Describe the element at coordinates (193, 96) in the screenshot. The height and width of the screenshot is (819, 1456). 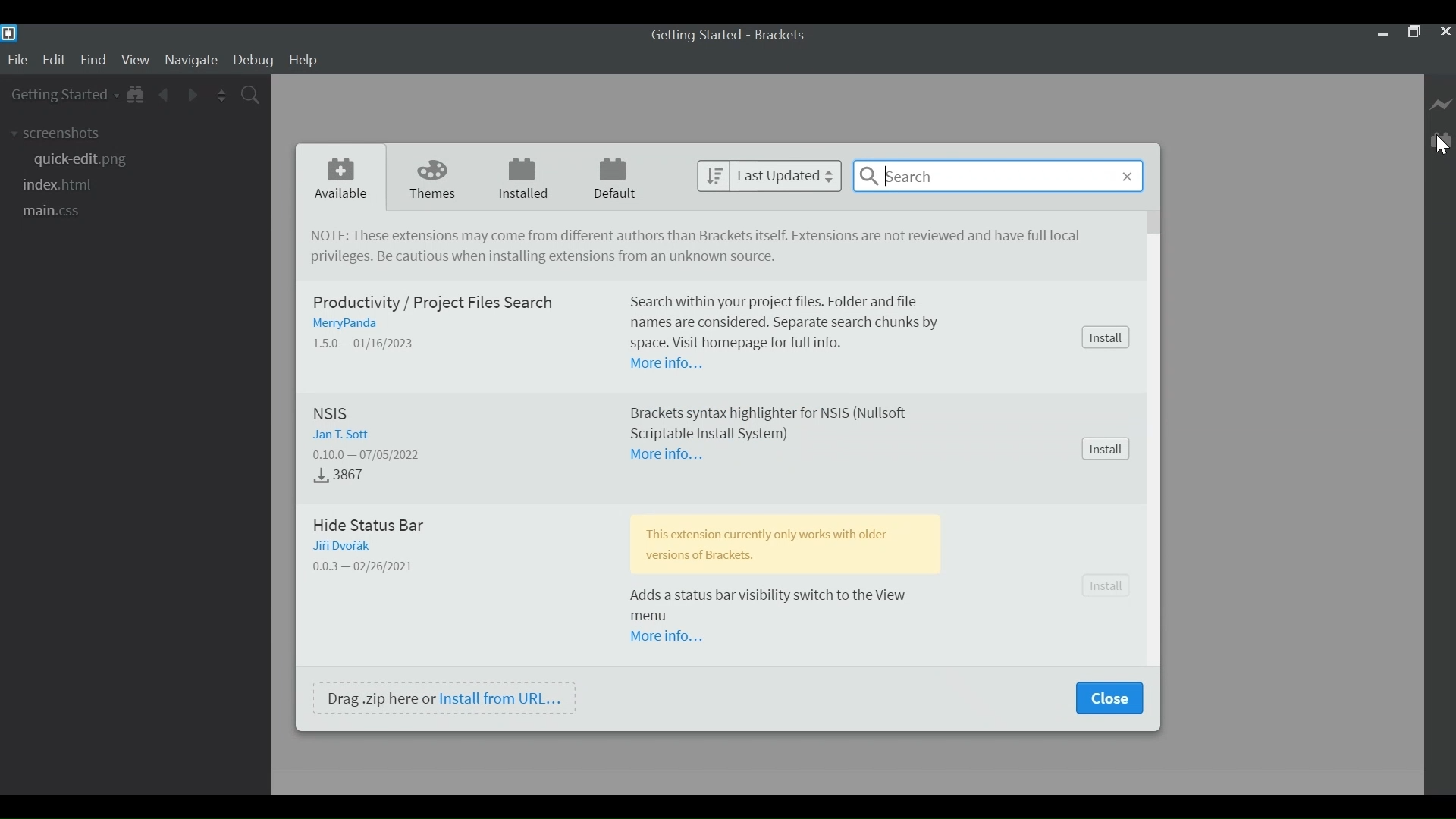
I see `Navigate Forward` at that location.